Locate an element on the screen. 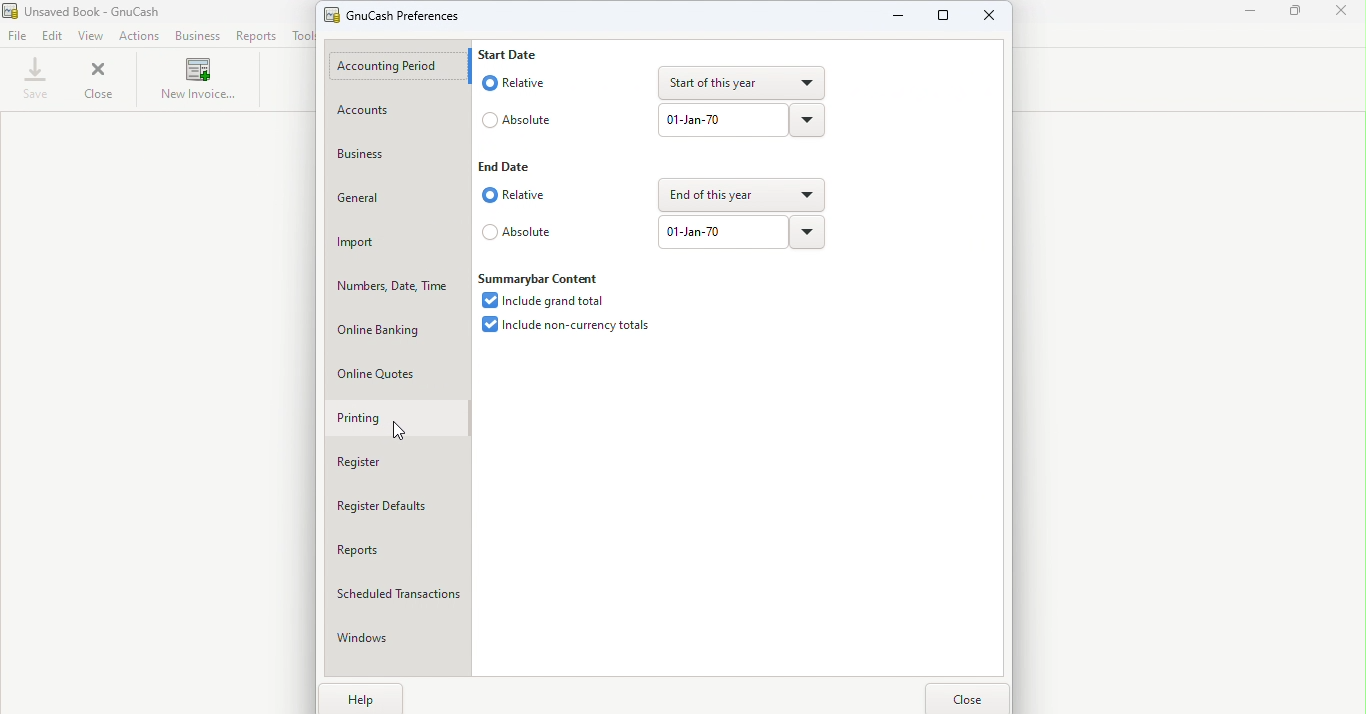  General is located at coordinates (399, 201).